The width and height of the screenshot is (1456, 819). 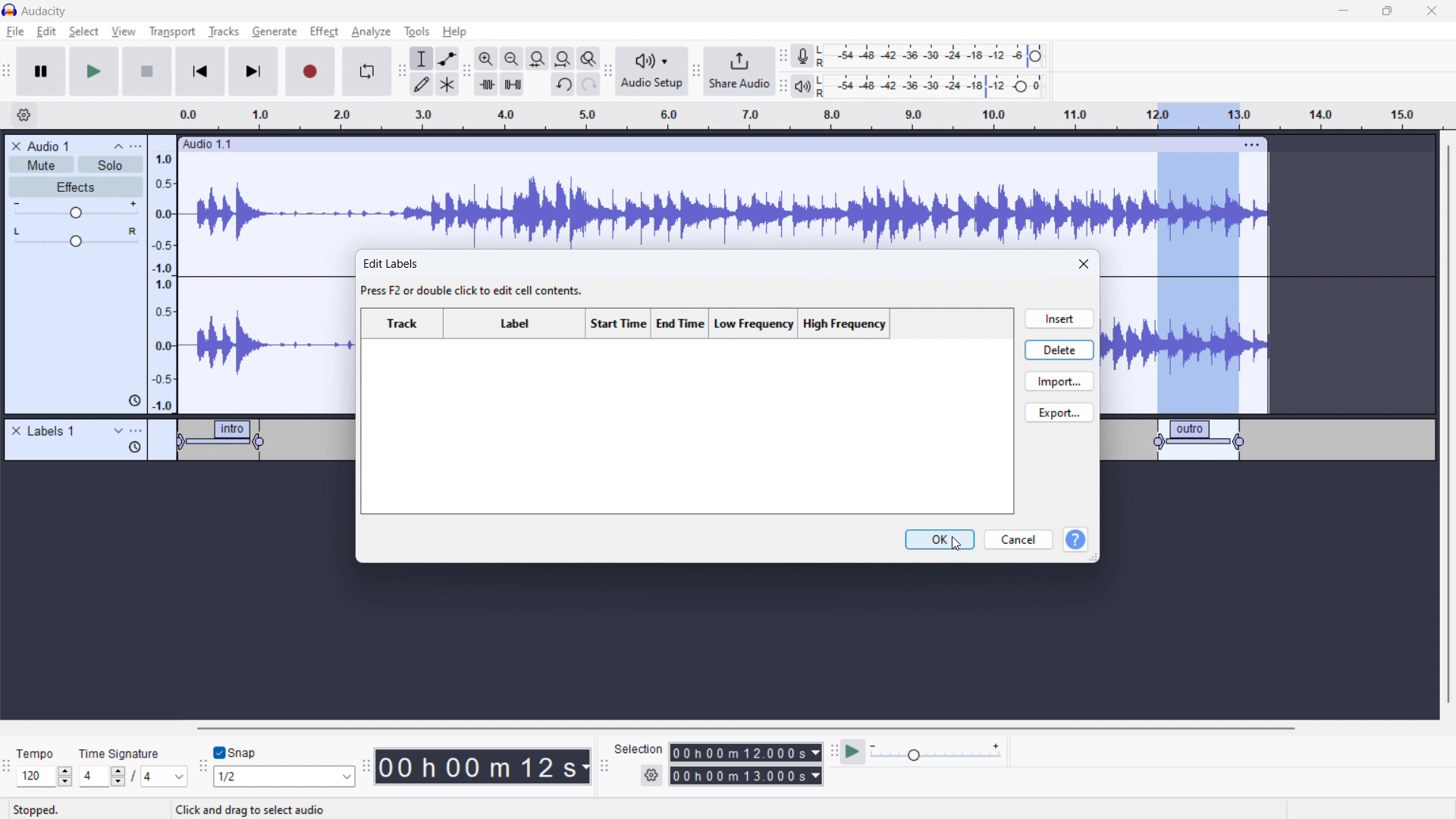 I want to click on cancel, so click(x=1018, y=540).